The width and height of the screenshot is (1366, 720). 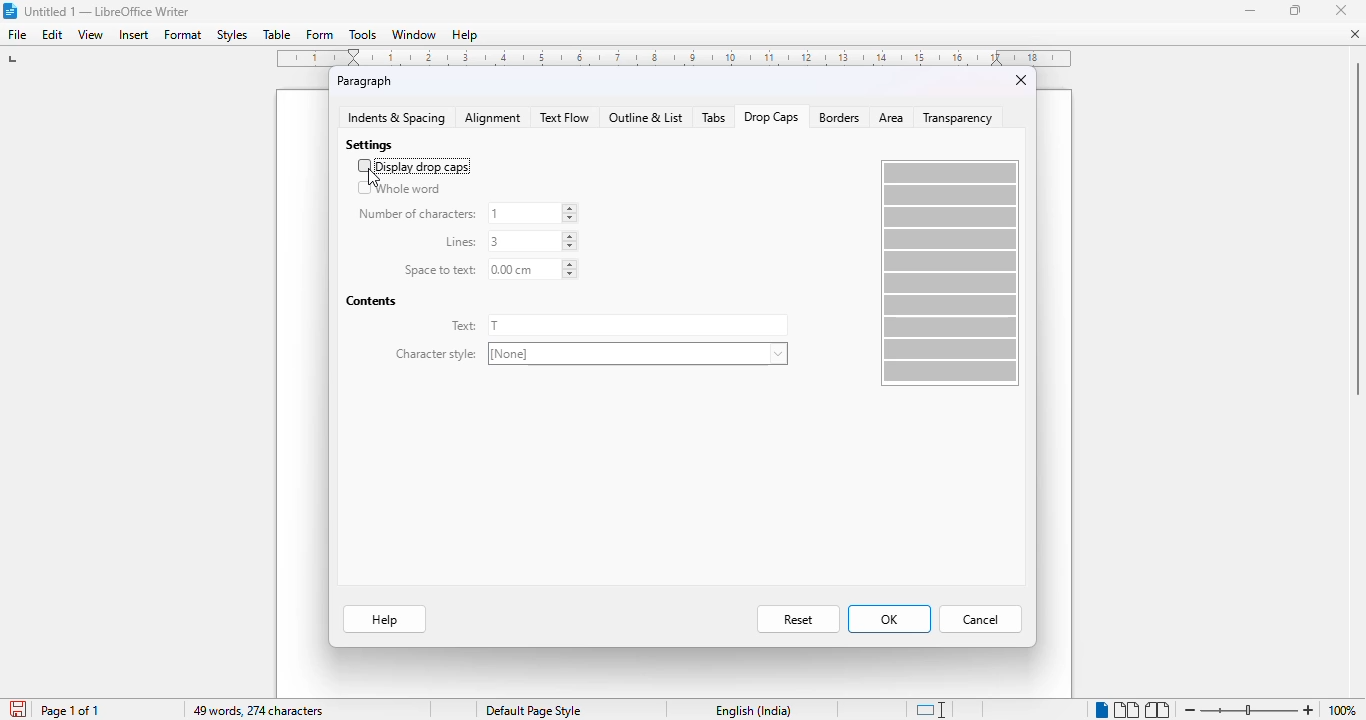 I want to click on text flow, so click(x=565, y=118).